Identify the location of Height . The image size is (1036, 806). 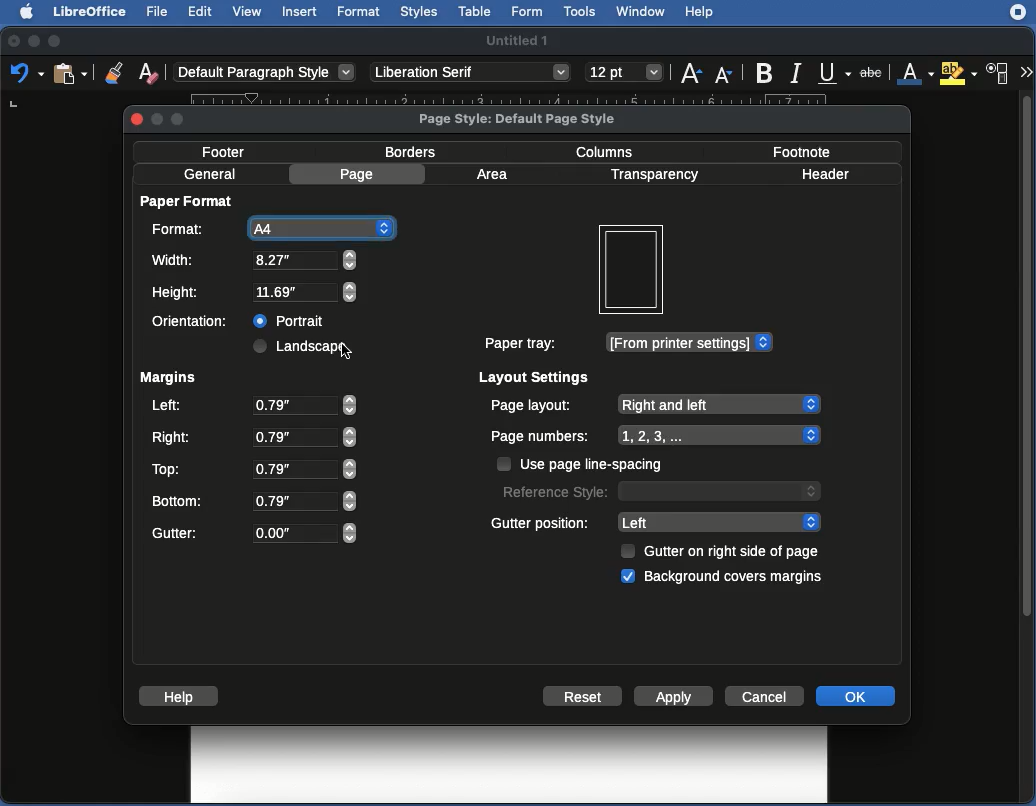
(180, 292).